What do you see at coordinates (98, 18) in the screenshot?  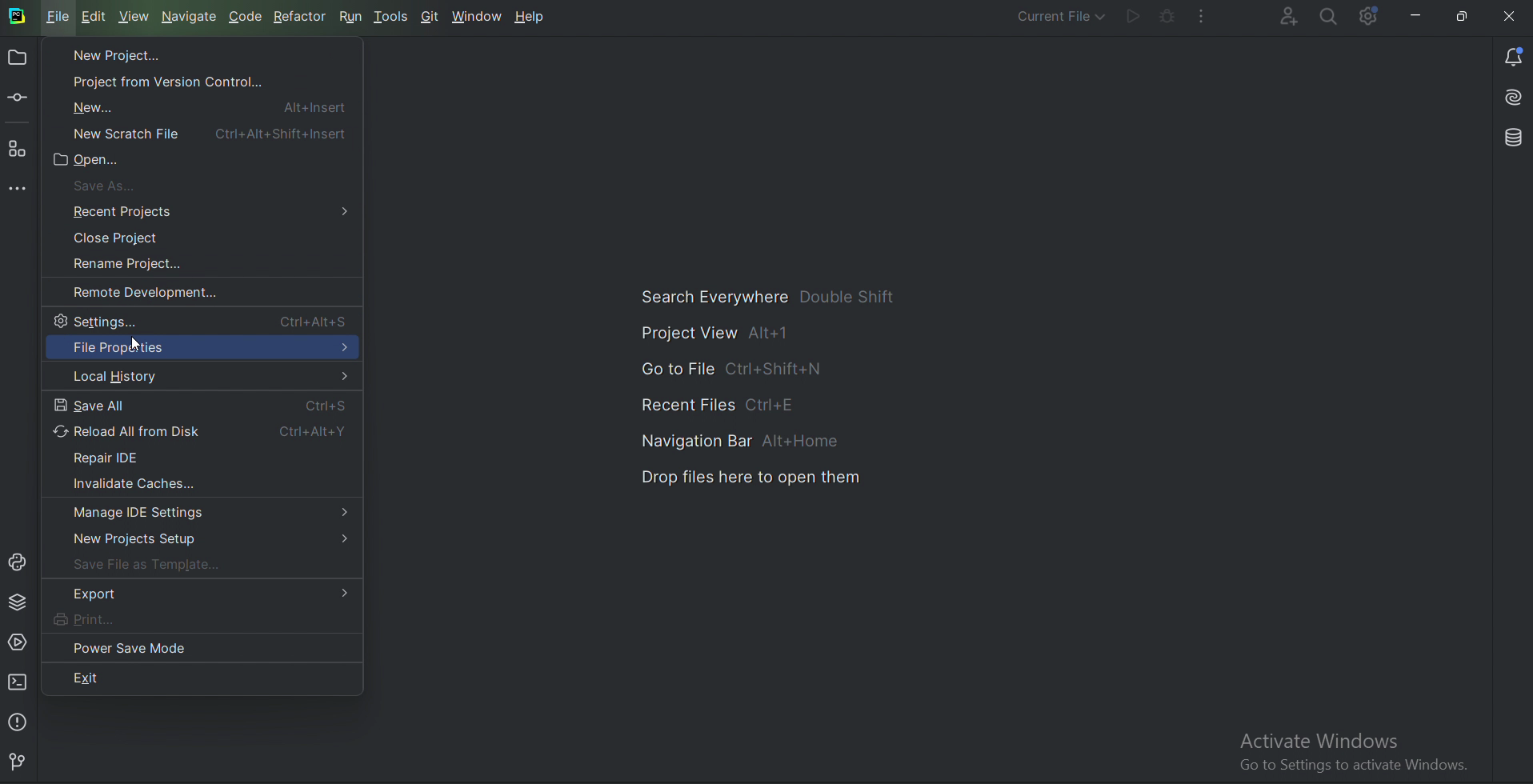 I see `Edit` at bounding box center [98, 18].